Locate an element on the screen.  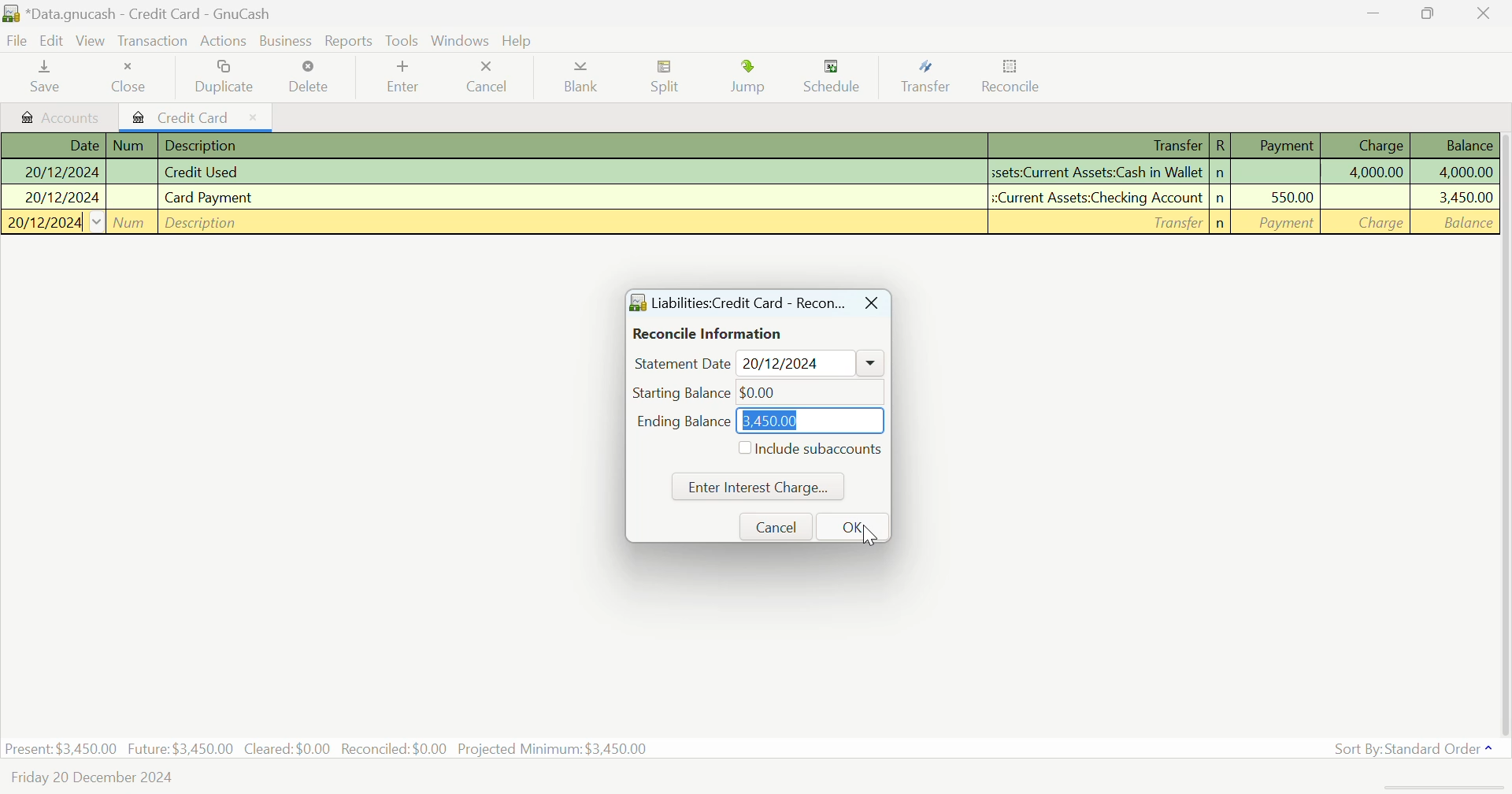
Close Window is located at coordinates (1487, 13).